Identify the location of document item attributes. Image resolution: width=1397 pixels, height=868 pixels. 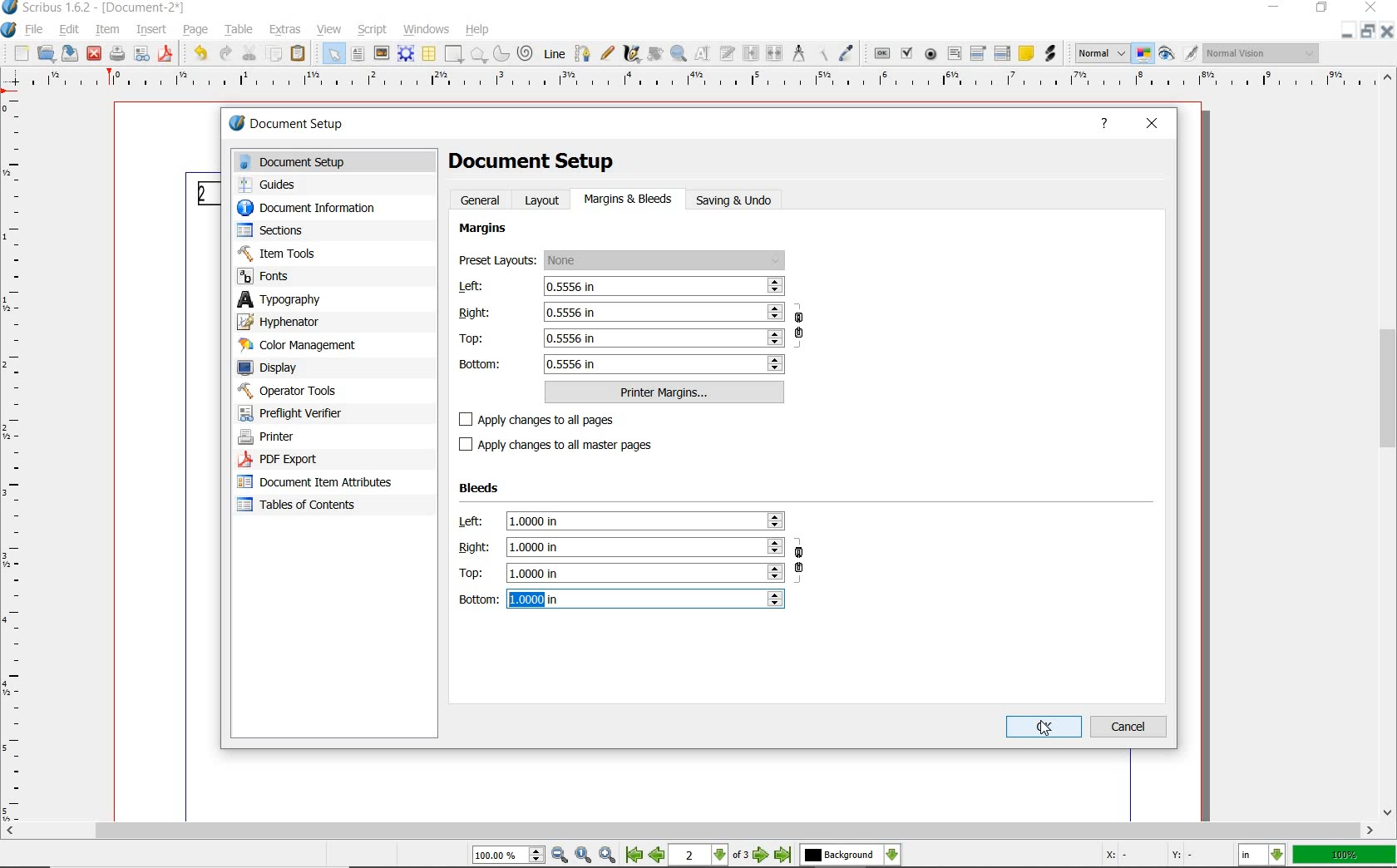
(316, 483).